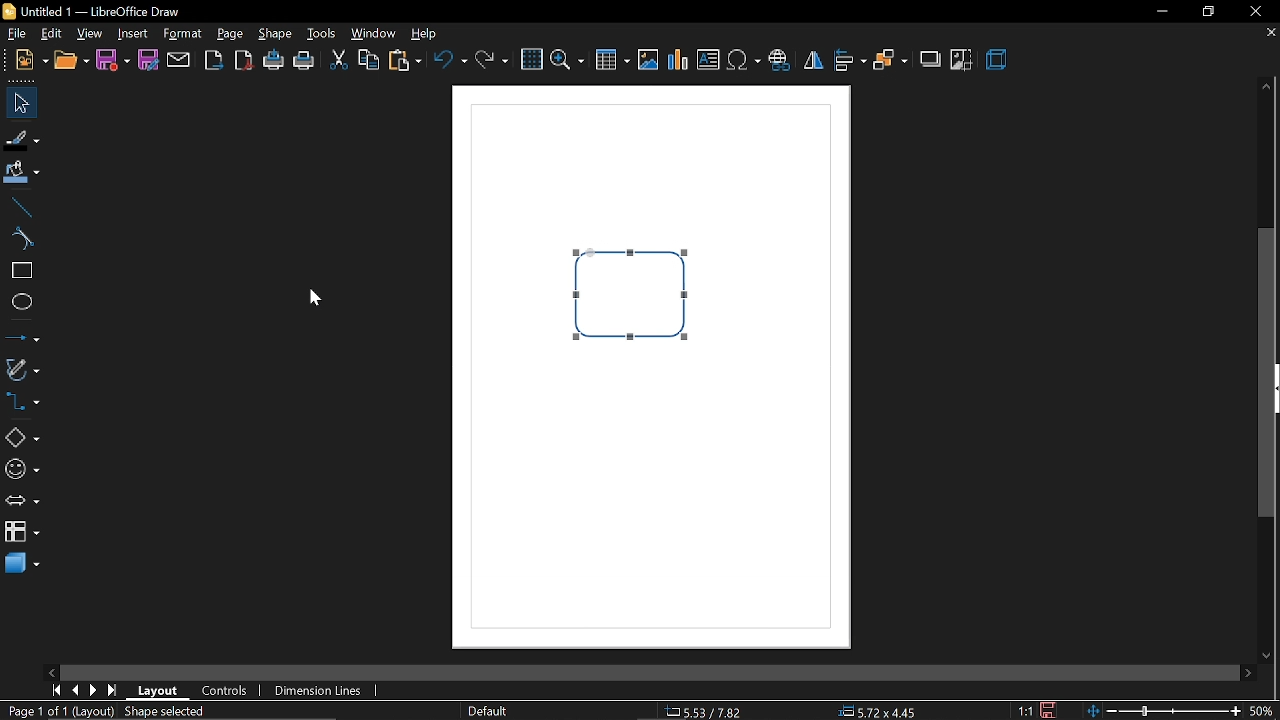 The height and width of the screenshot is (720, 1280). I want to click on zoom, so click(566, 61).